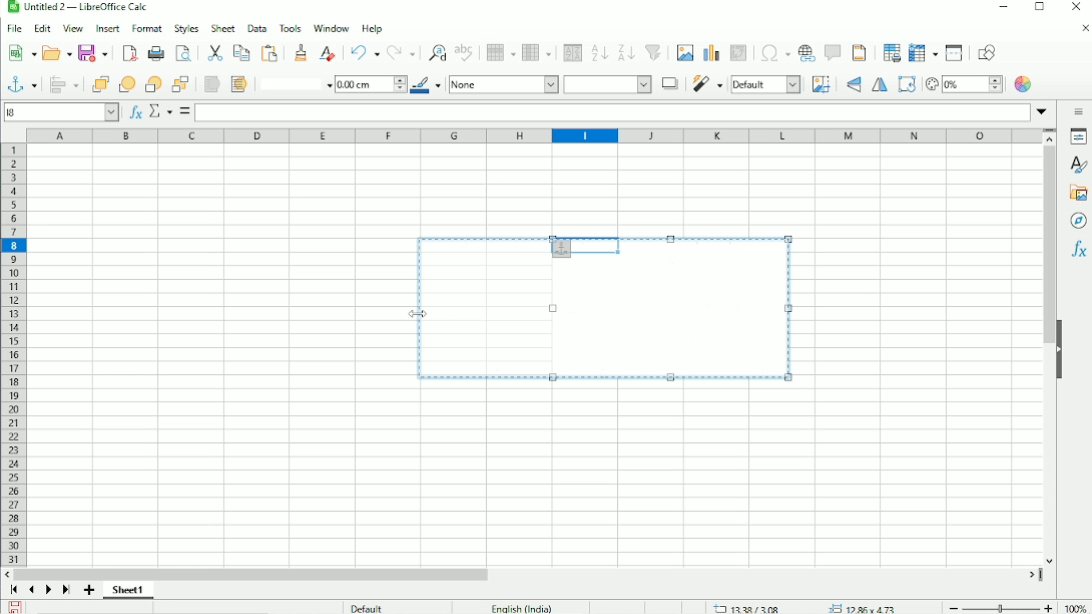  What do you see at coordinates (584, 245) in the screenshot?
I see `cell selected` at bounding box center [584, 245].